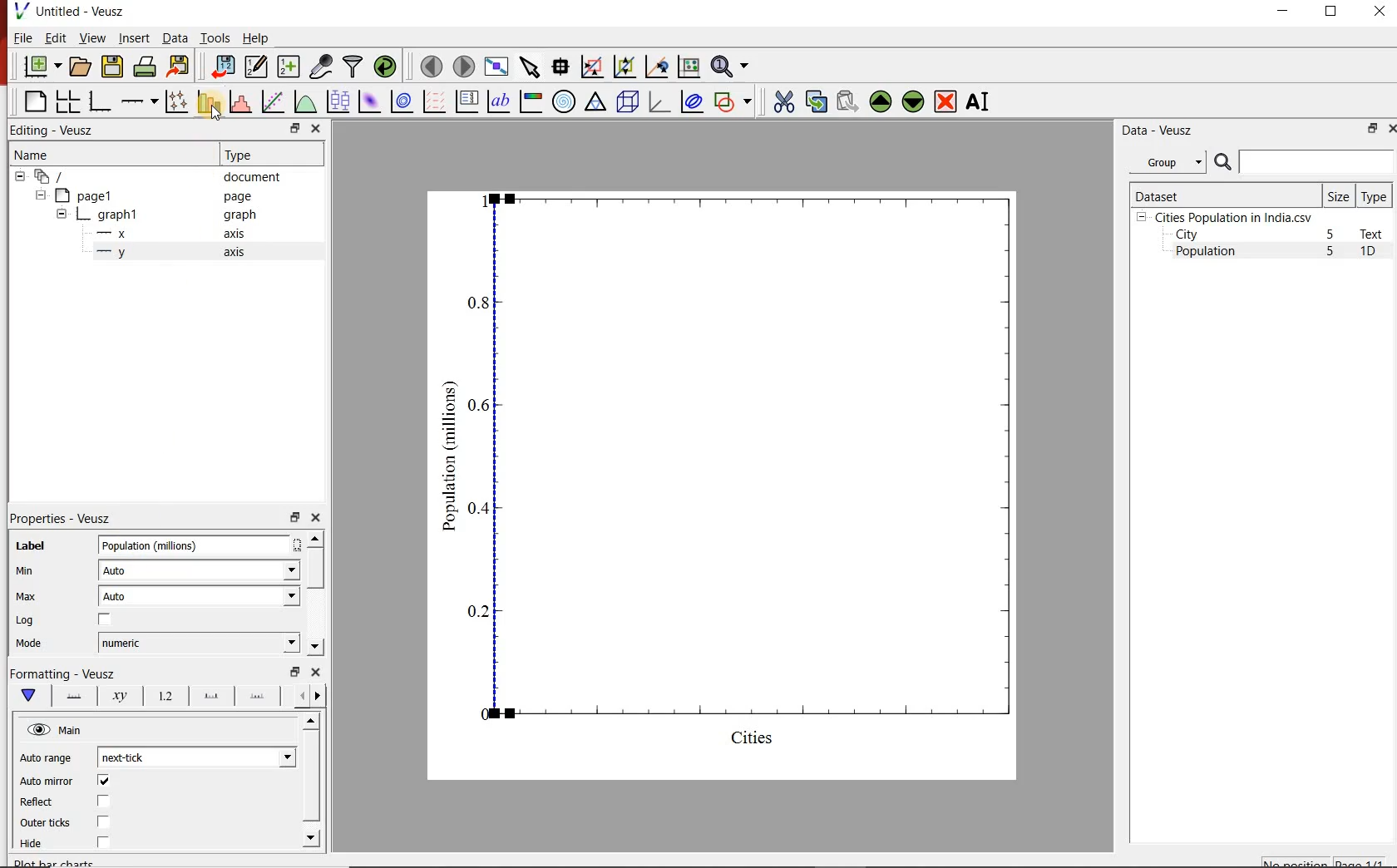 The image size is (1397, 868). Describe the element at coordinates (33, 102) in the screenshot. I see `blank page` at that location.